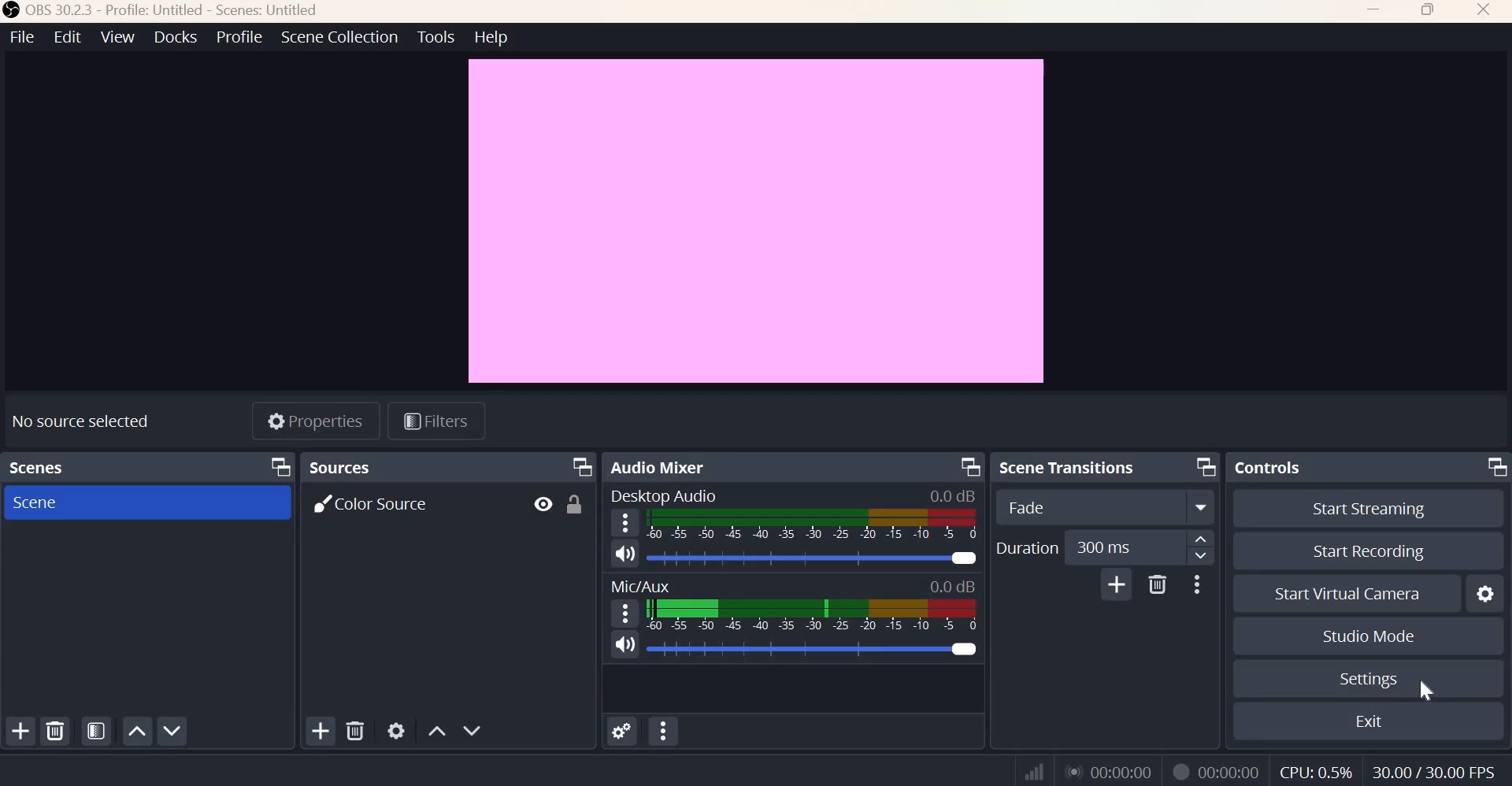 The image size is (1512, 786). I want to click on View, so click(118, 38).